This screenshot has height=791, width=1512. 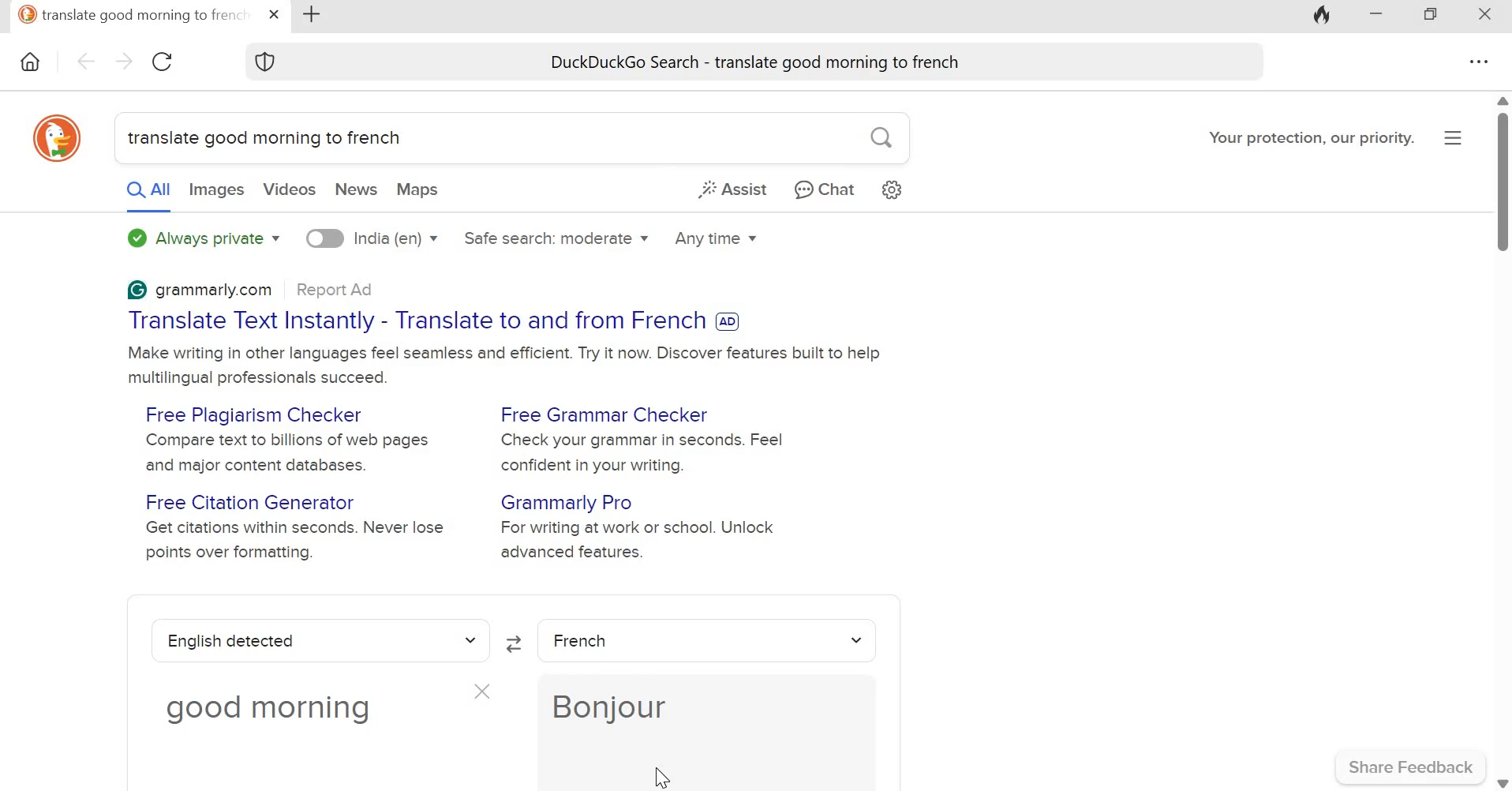 What do you see at coordinates (658, 773) in the screenshot?
I see `cursor` at bounding box center [658, 773].